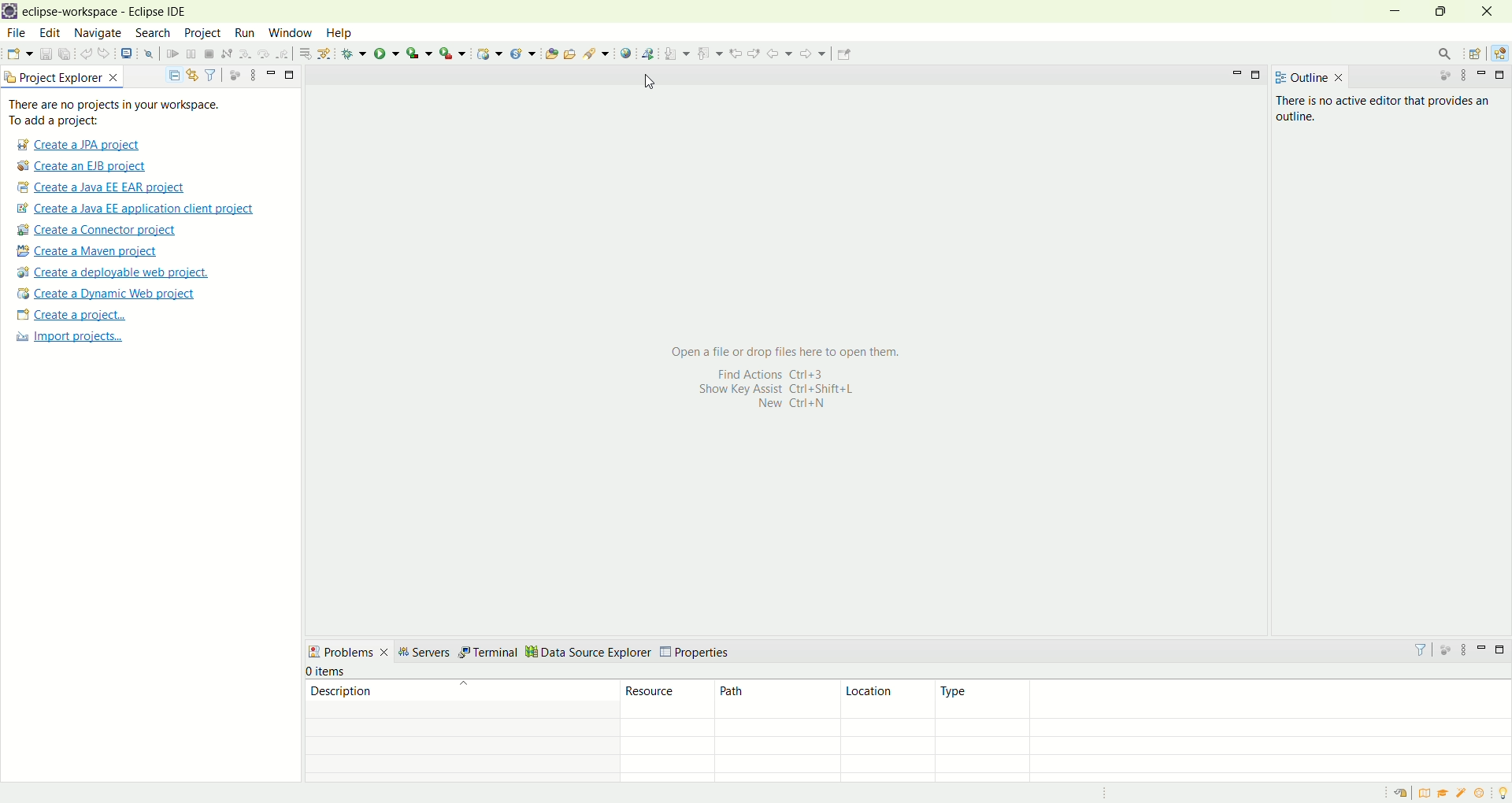 Image resolution: width=1512 pixels, height=803 pixels. Describe the element at coordinates (251, 74) in the screenshot. I see `view menu` at that location.